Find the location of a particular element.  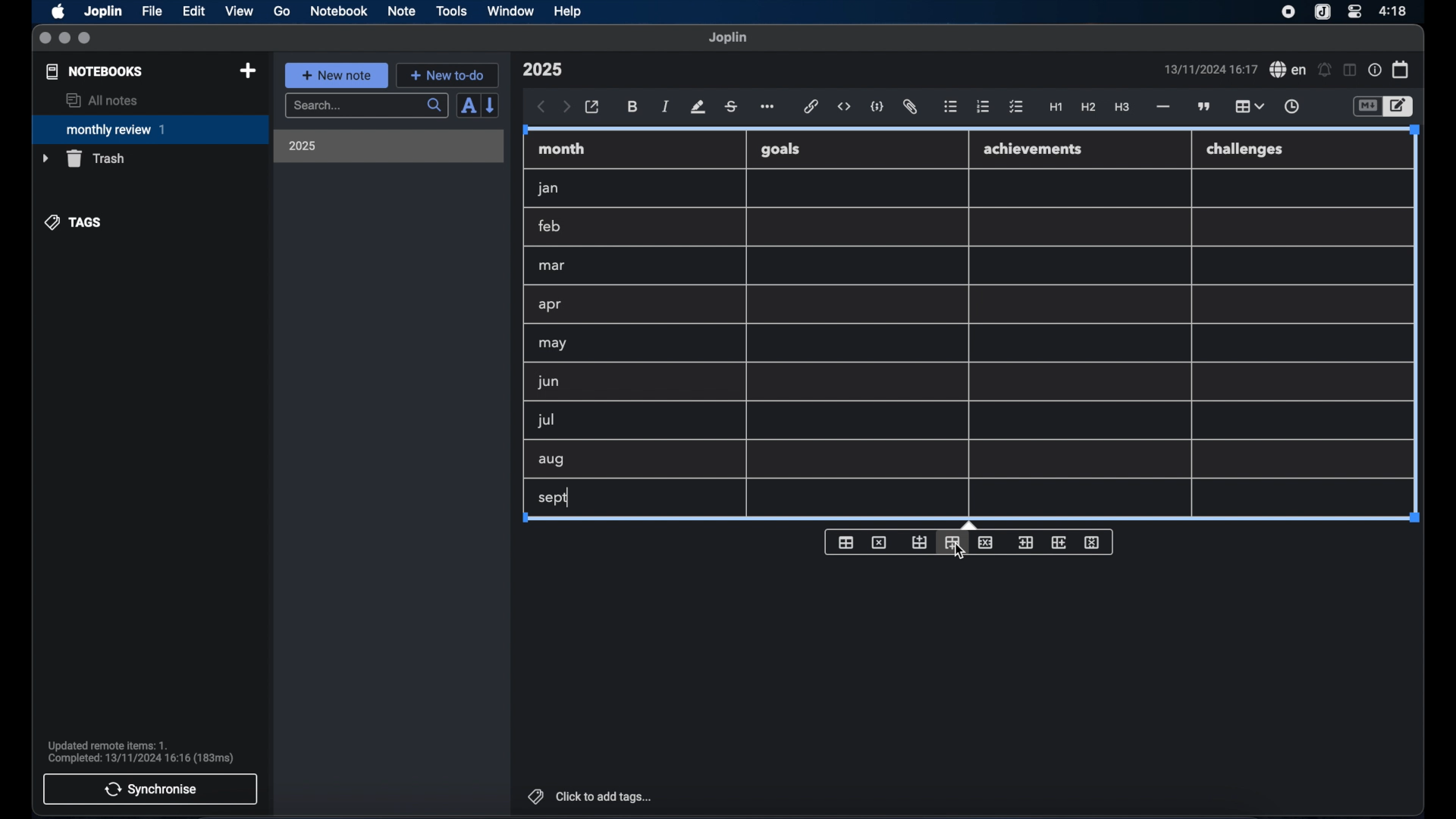

achievements is located at coordinates (1034, 149).